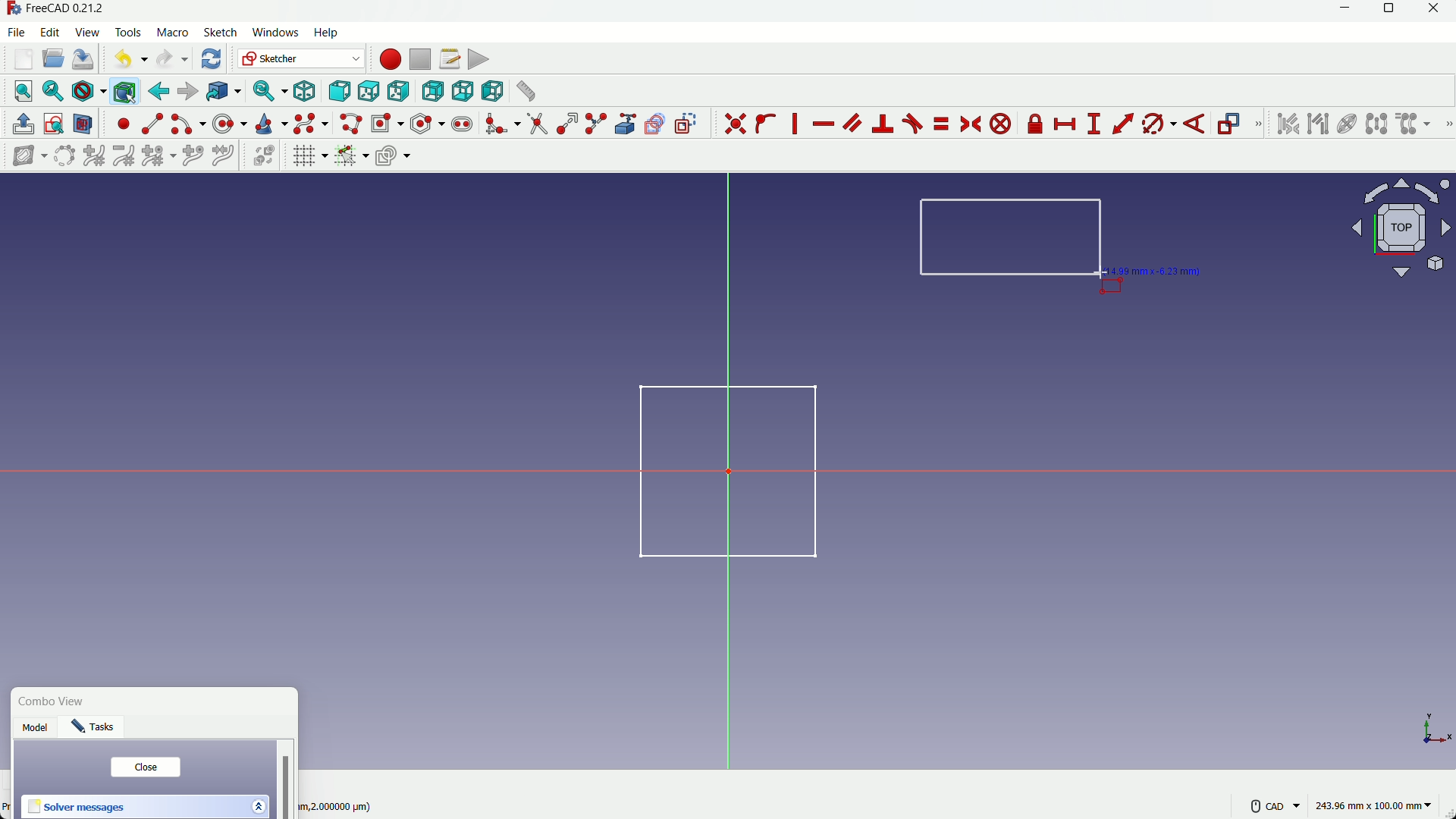  I want to click on axis, so click(1438, 730).